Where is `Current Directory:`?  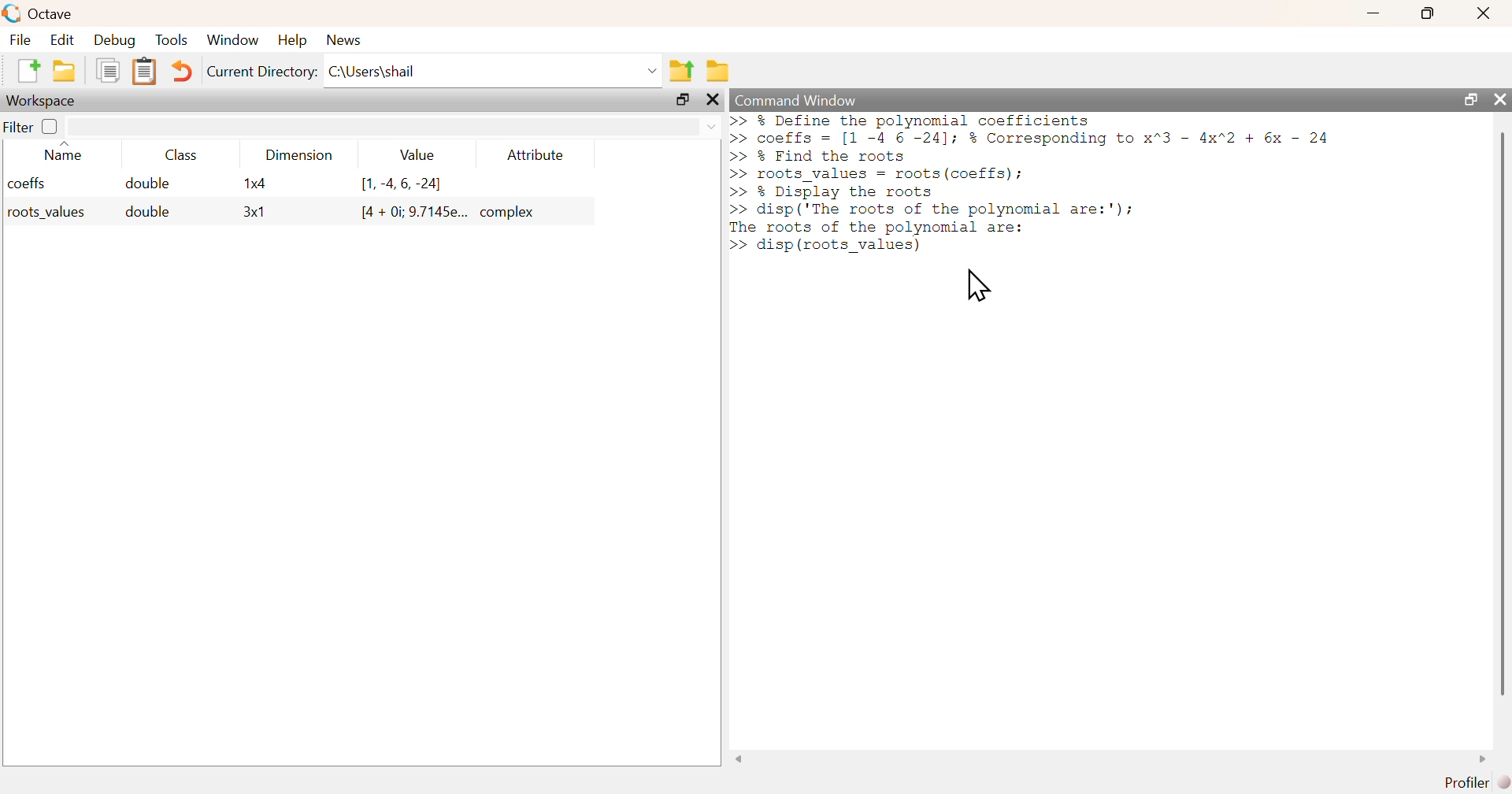
Current Directory: is located at coordinates (261, 72).